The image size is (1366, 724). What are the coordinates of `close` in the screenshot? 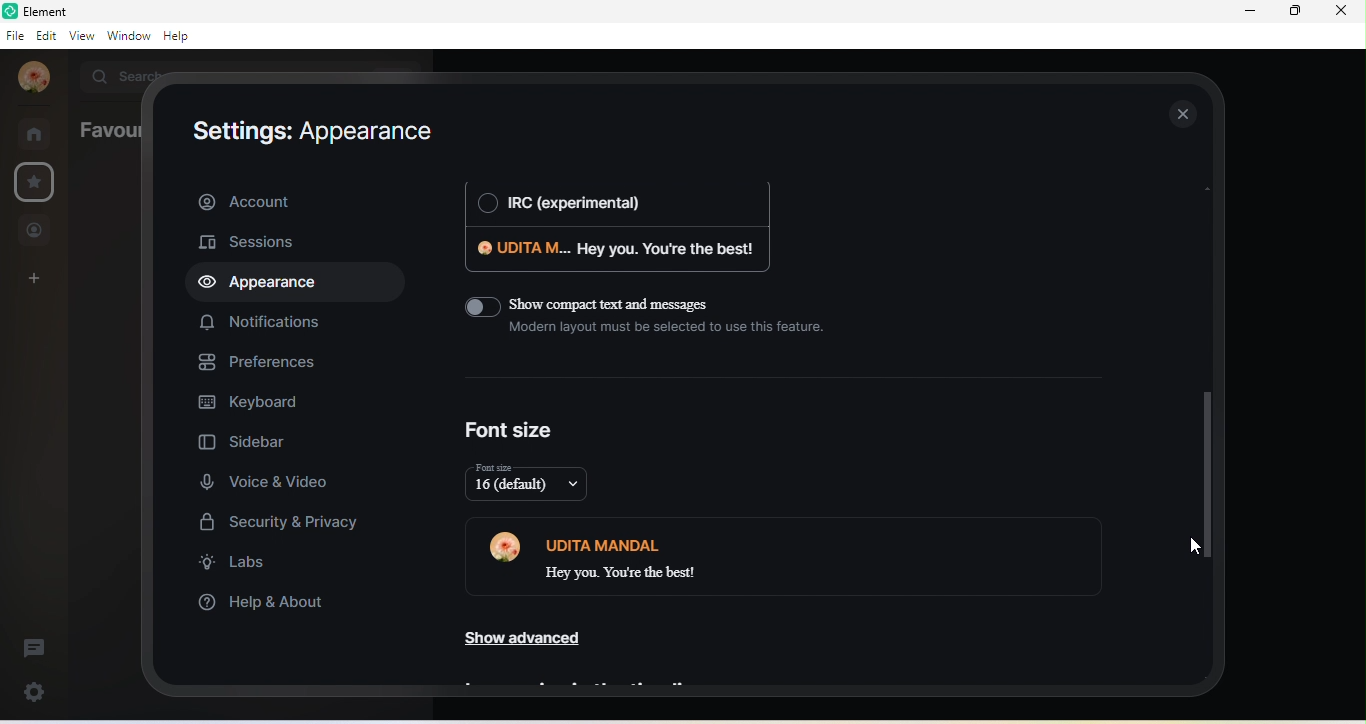 It's located at (1346, 16).